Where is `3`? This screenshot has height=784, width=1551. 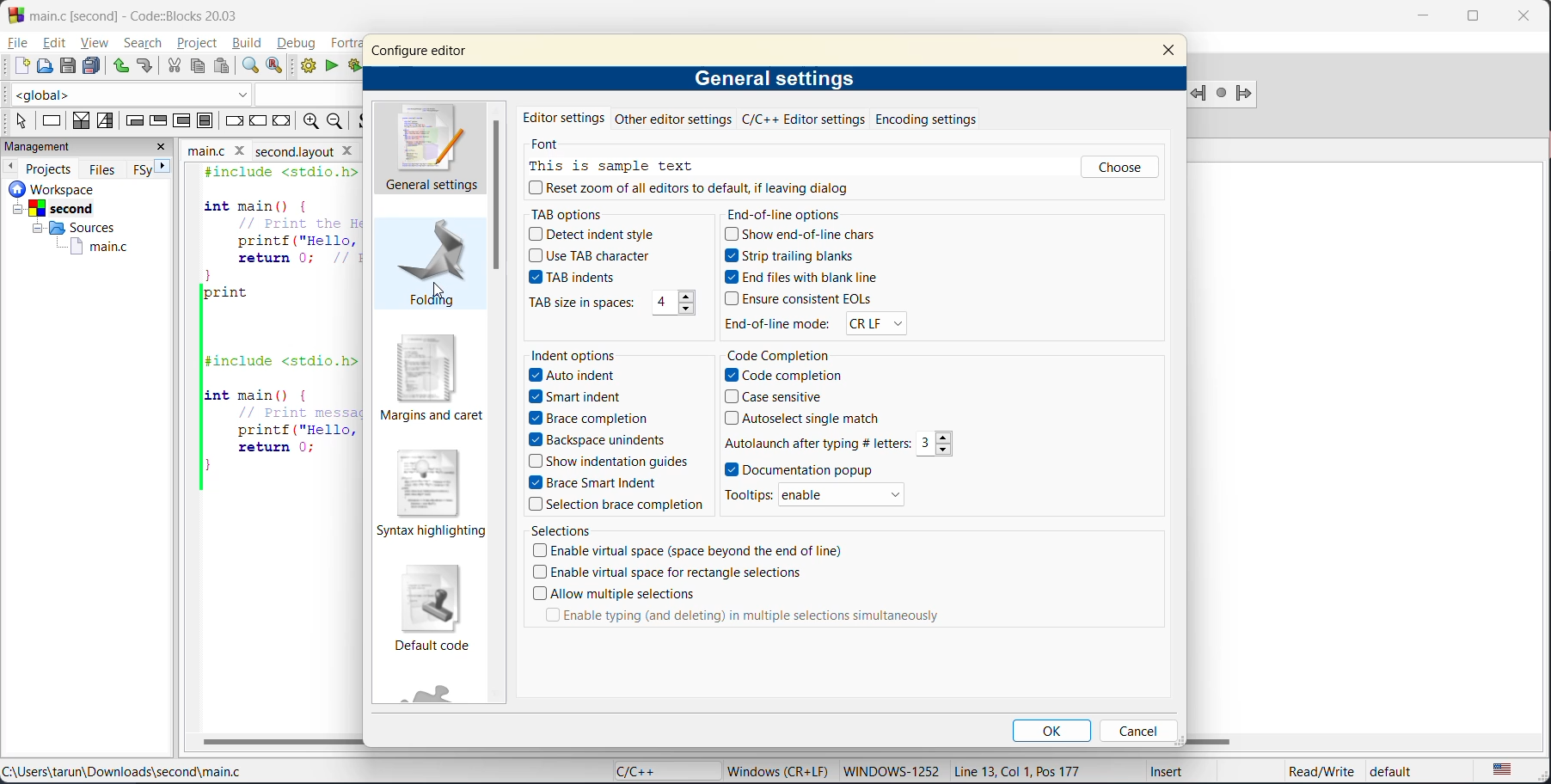 3 is located at coordinates (940, 444).